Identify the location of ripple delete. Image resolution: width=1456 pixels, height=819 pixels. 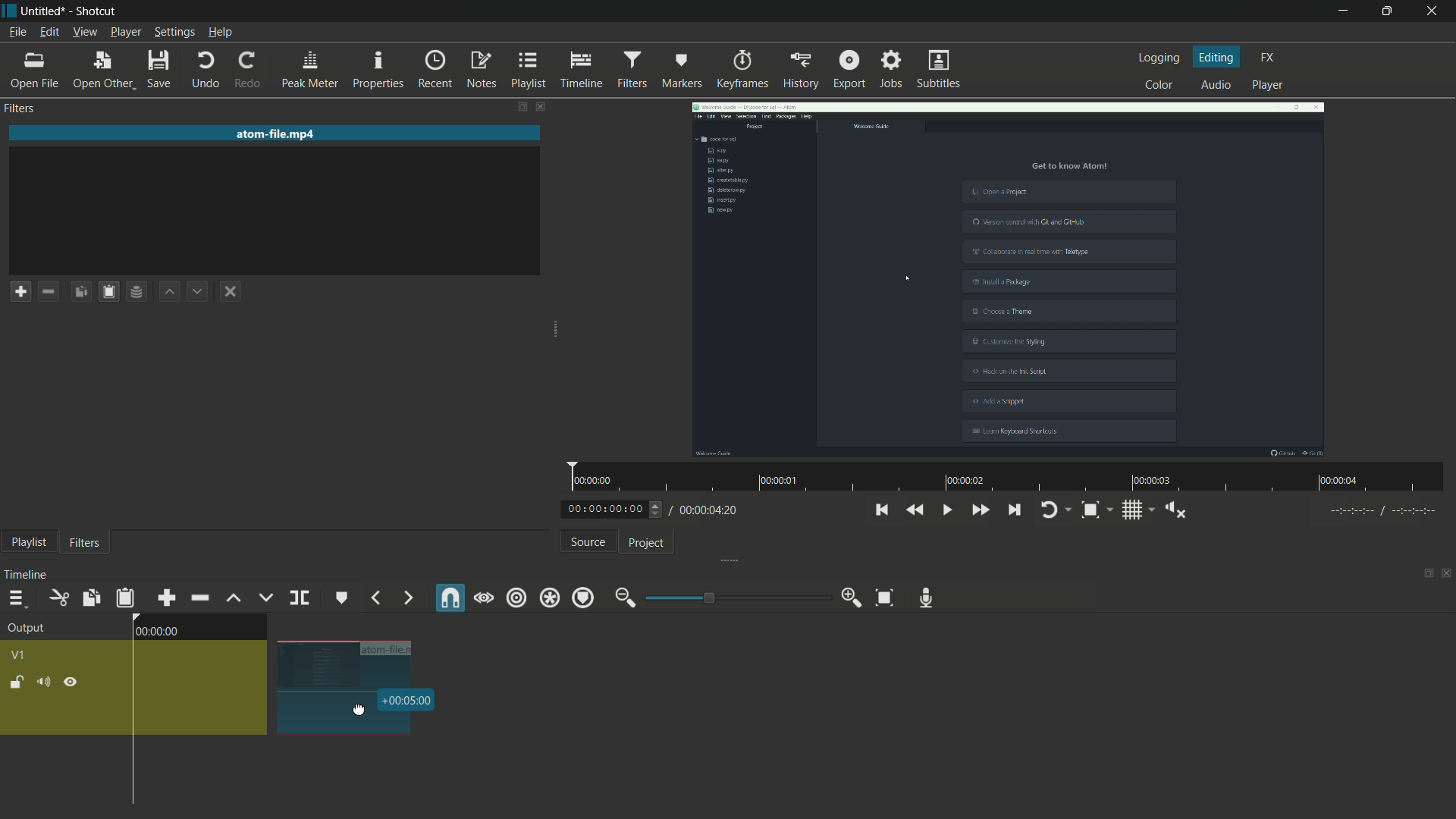
(199, 596).